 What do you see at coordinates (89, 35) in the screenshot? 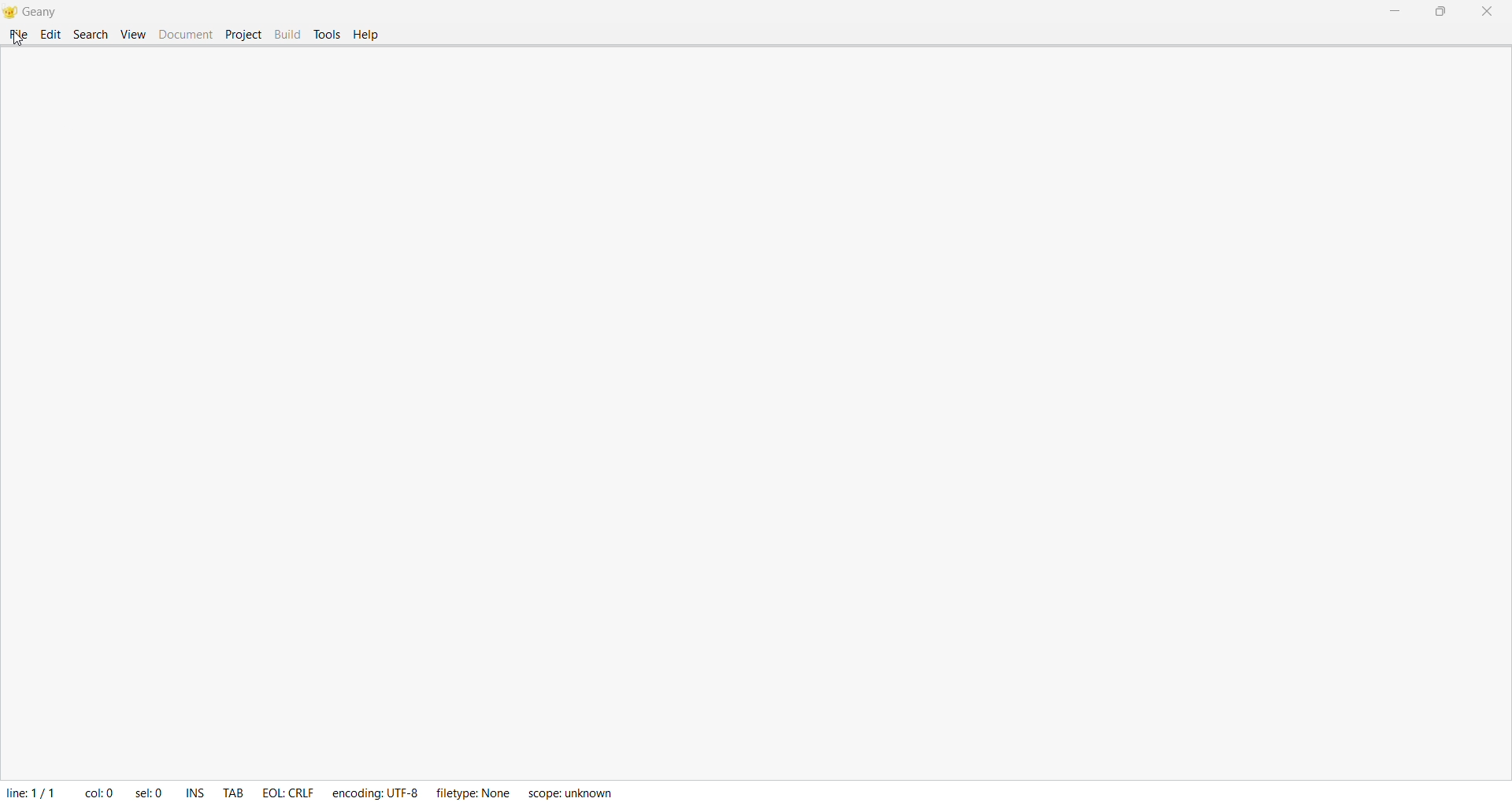
I see `Search` at bounding box center [89, 35].